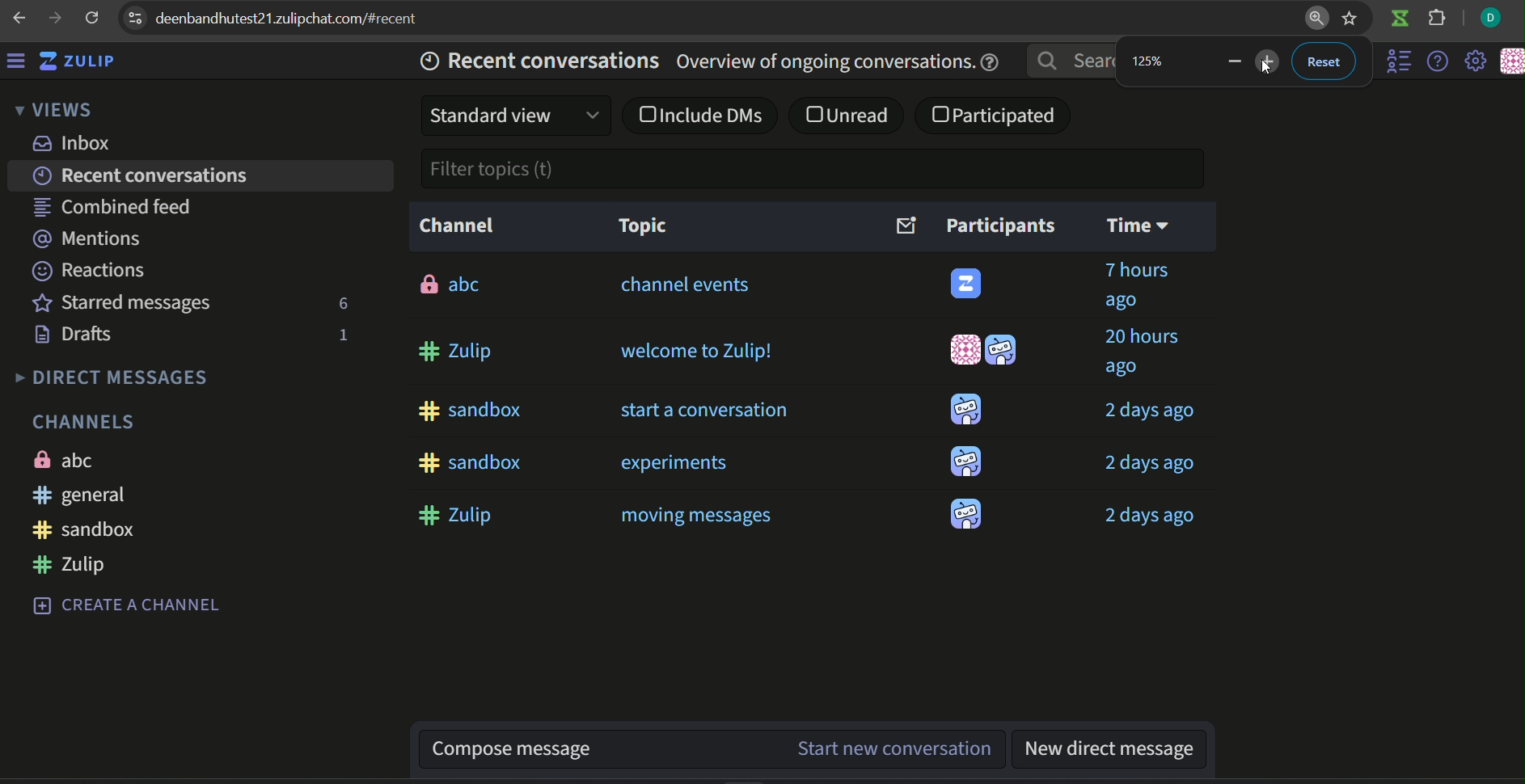 Image resolution: width=1525 pixels, height=784 pixels. What do you see at coordinates (1139, 353) in the screenshot?
I see `20 hours ago` at bounding box center [1139, 353].